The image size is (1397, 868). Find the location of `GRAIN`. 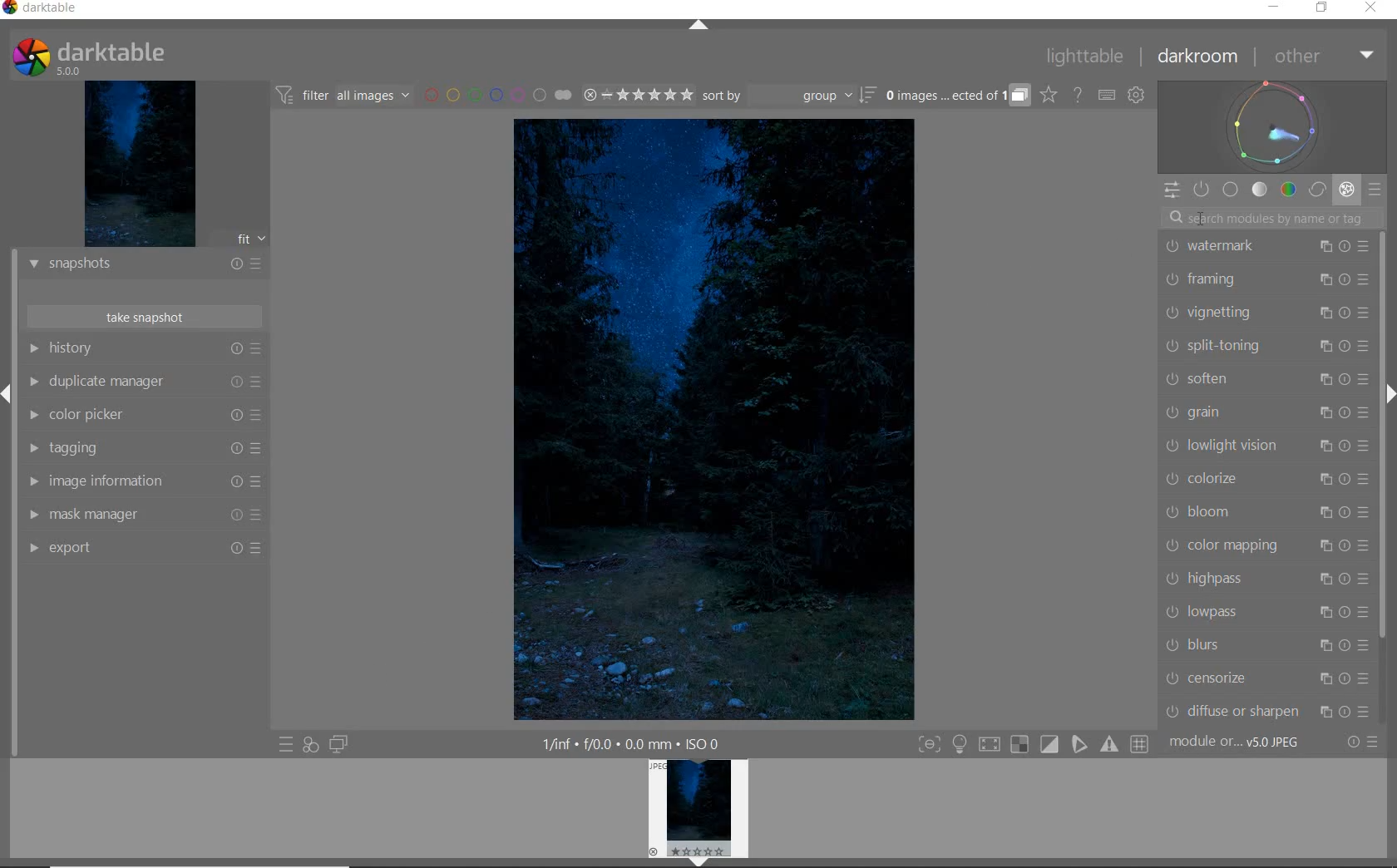

GRAIN is located at coordinates (1264, 413).